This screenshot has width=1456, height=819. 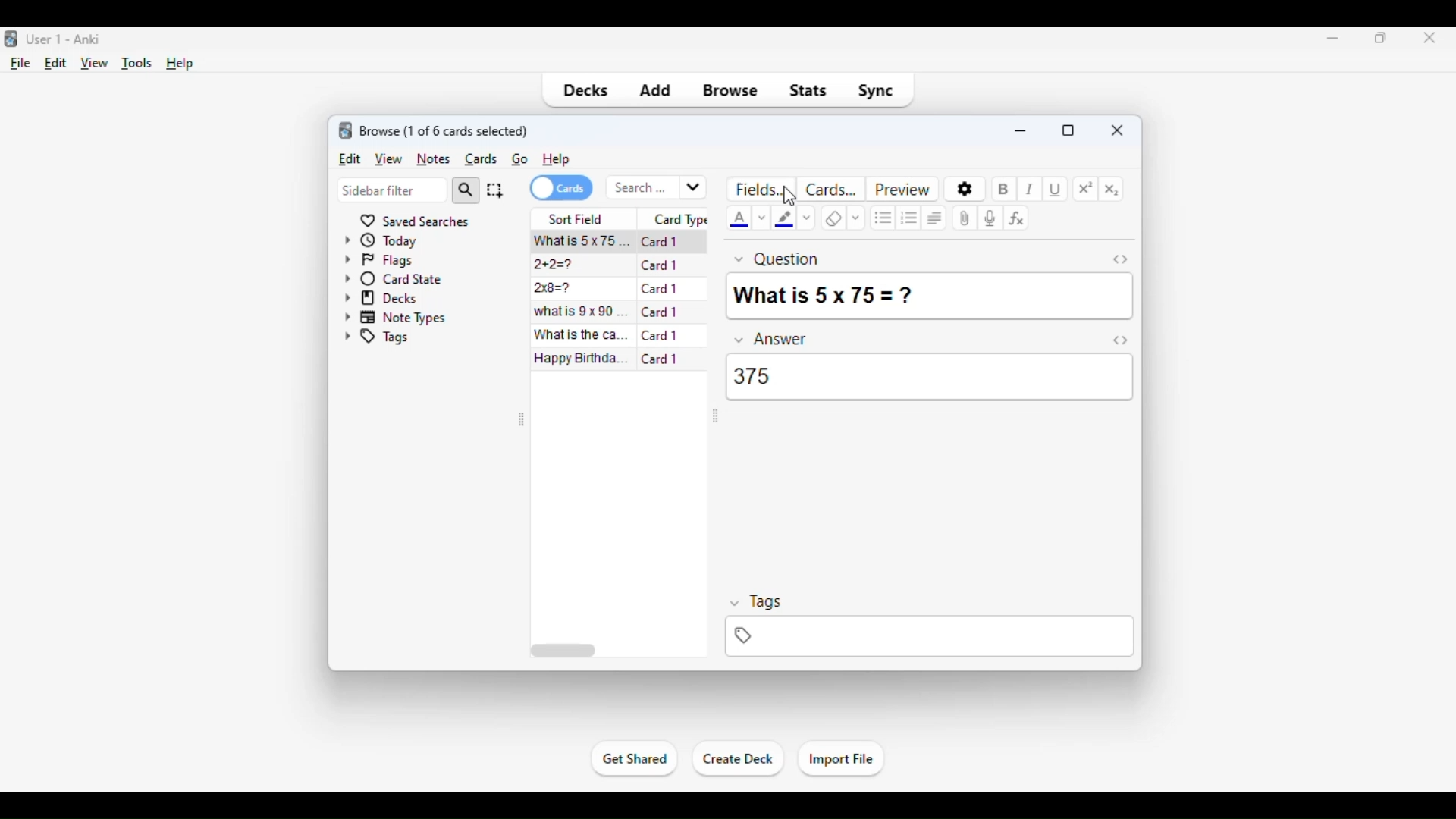 I want to click on card 1, so click(x=660, y=312).